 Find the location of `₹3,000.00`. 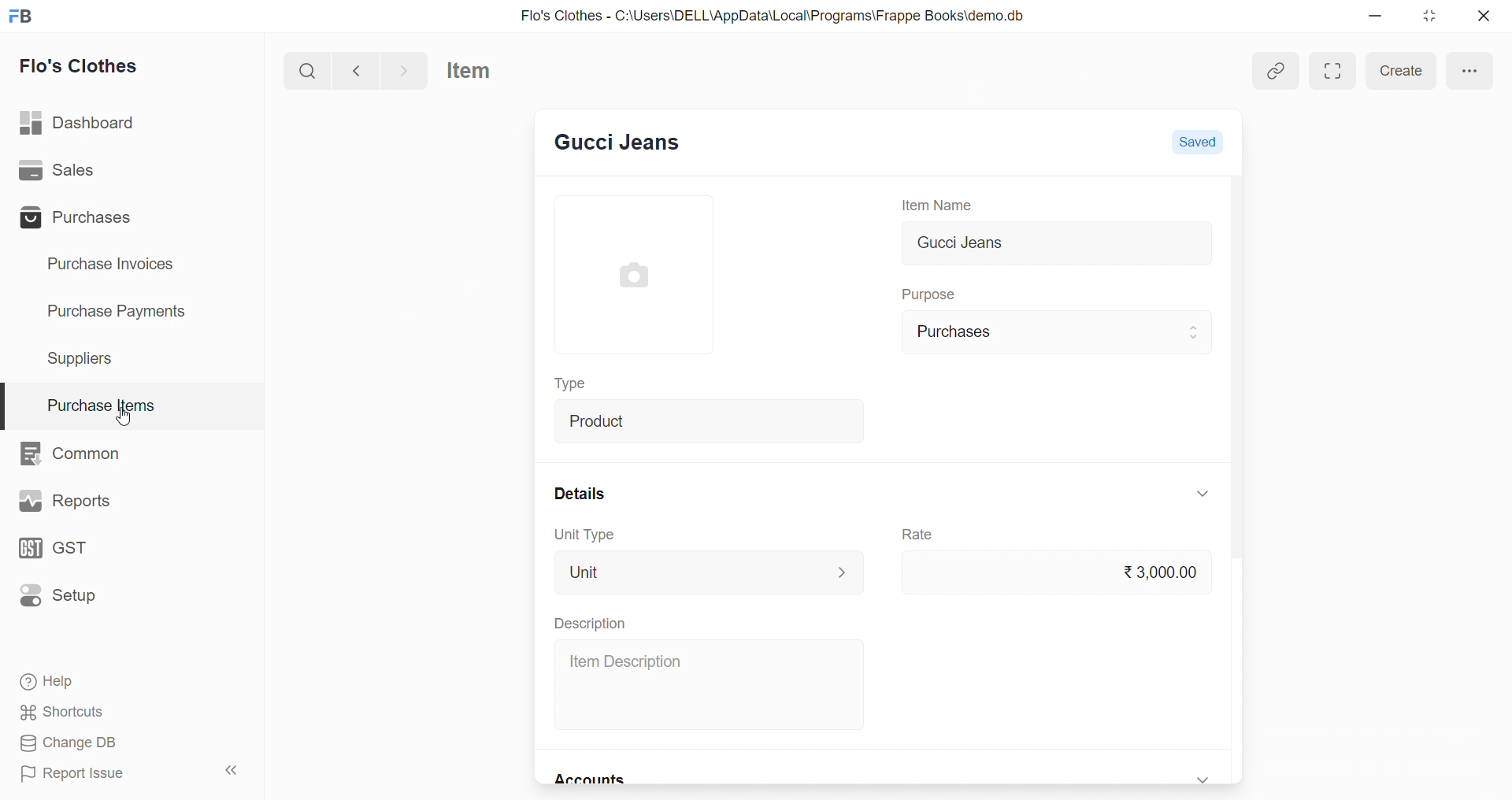

₹3,000.00 is located at coordinates (1053, 572).